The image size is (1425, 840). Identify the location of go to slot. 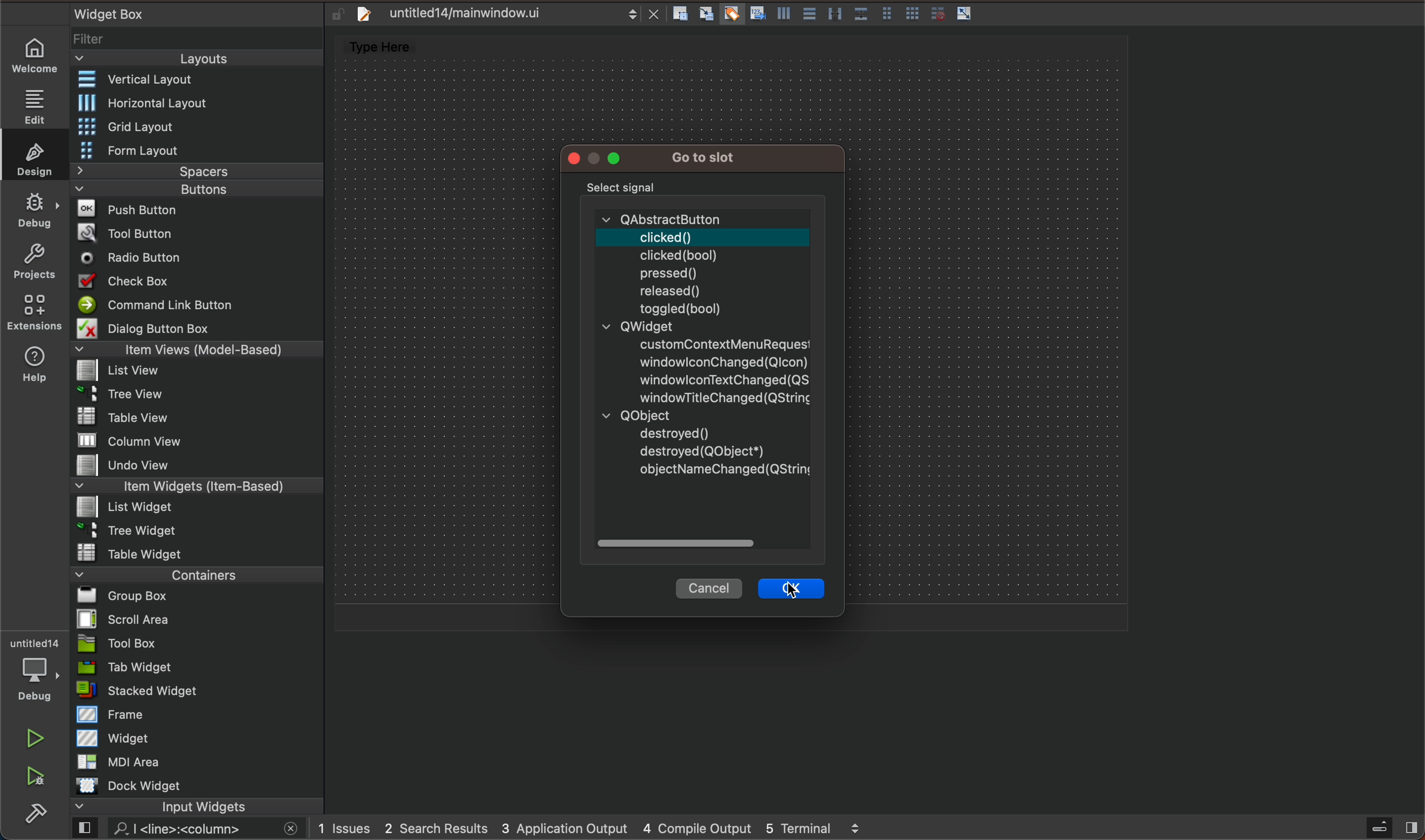
(718, 154).